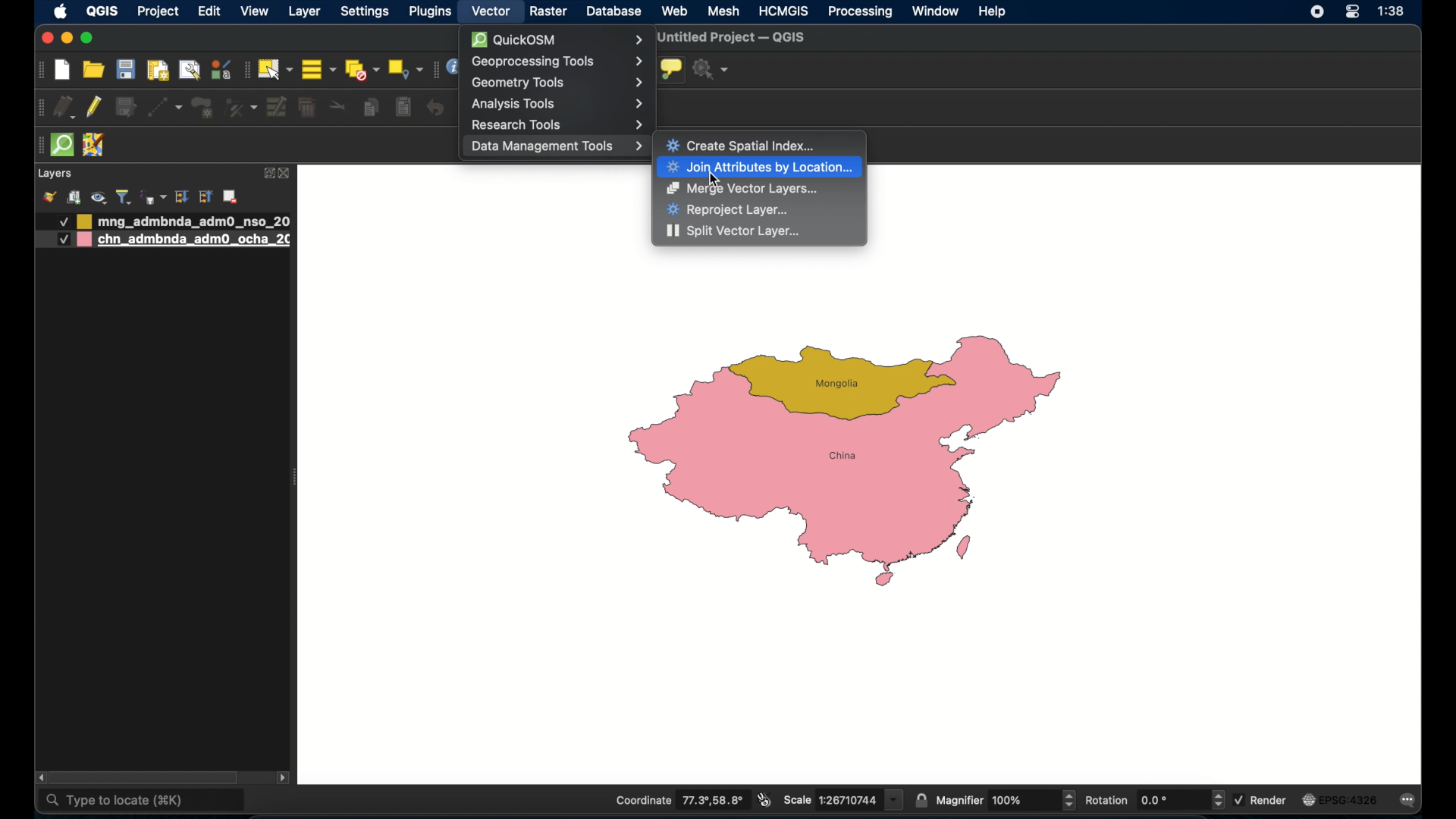  What do you see at coordinates (39, 71) in the screenshot?
I see `project toolbar` at bounding box center [39, 71].